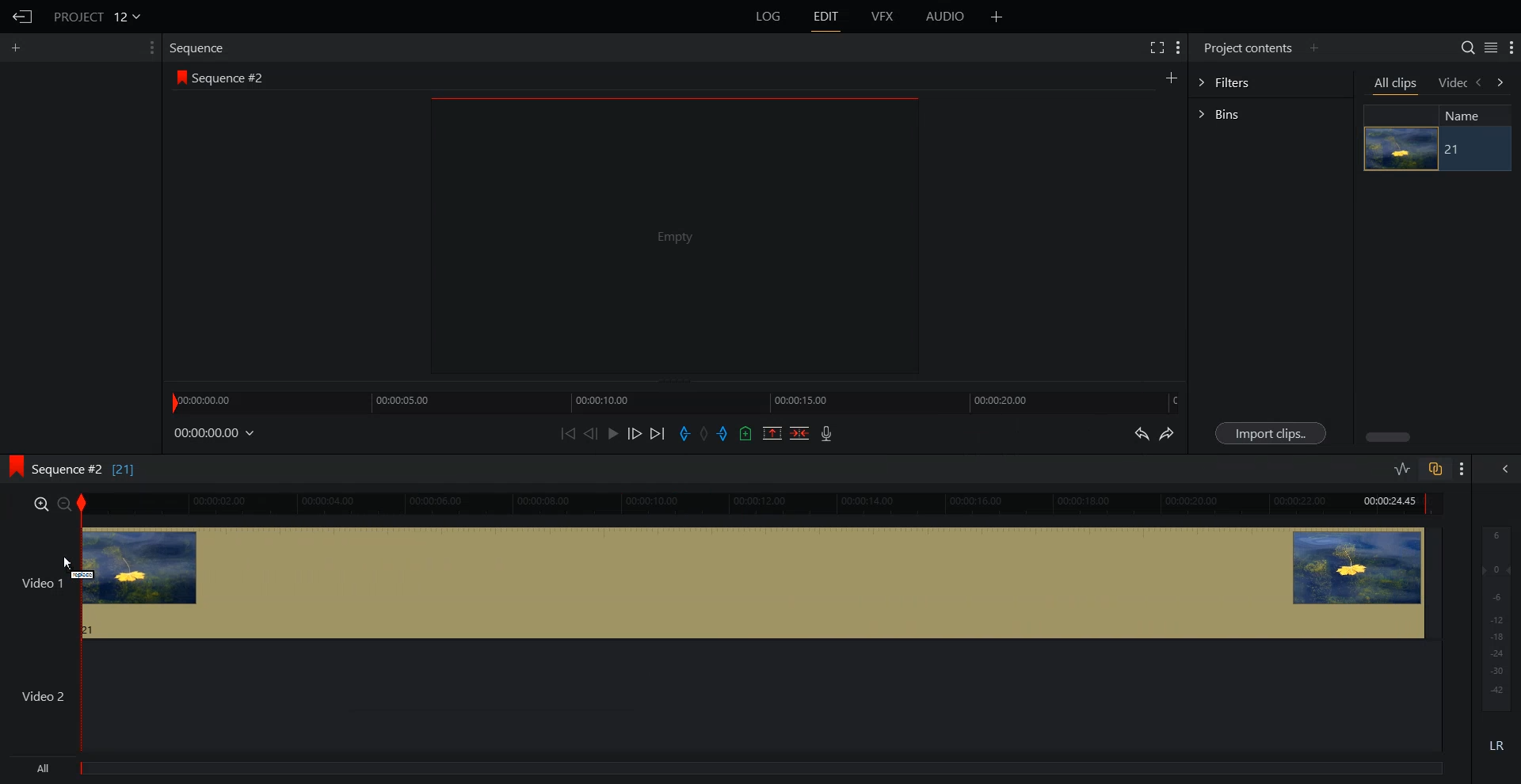  Describe the element at coordinates (215, 433) in the screenshot. I see `File Time` at that location.